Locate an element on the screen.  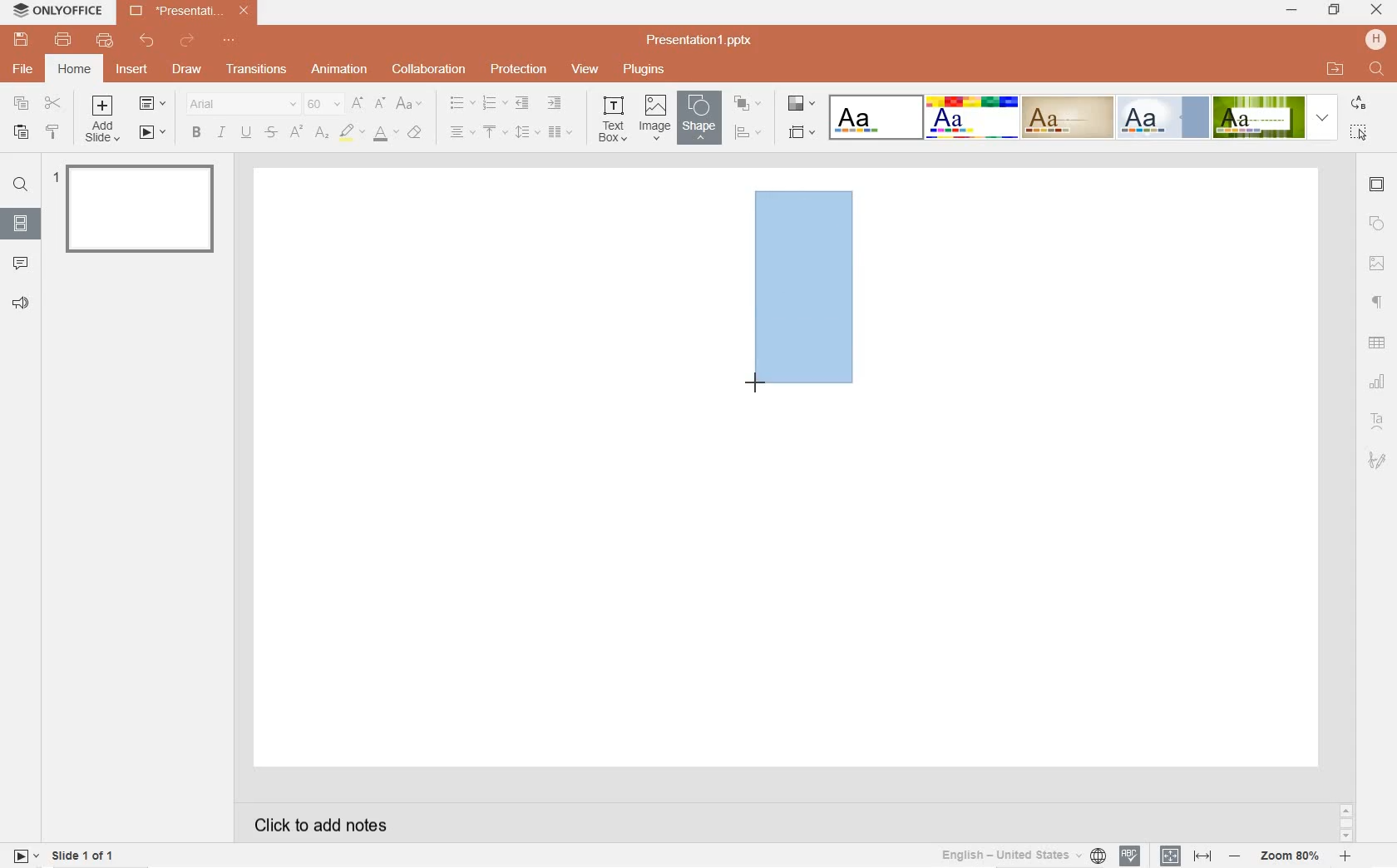
protection is located at coordinates (518, 71).